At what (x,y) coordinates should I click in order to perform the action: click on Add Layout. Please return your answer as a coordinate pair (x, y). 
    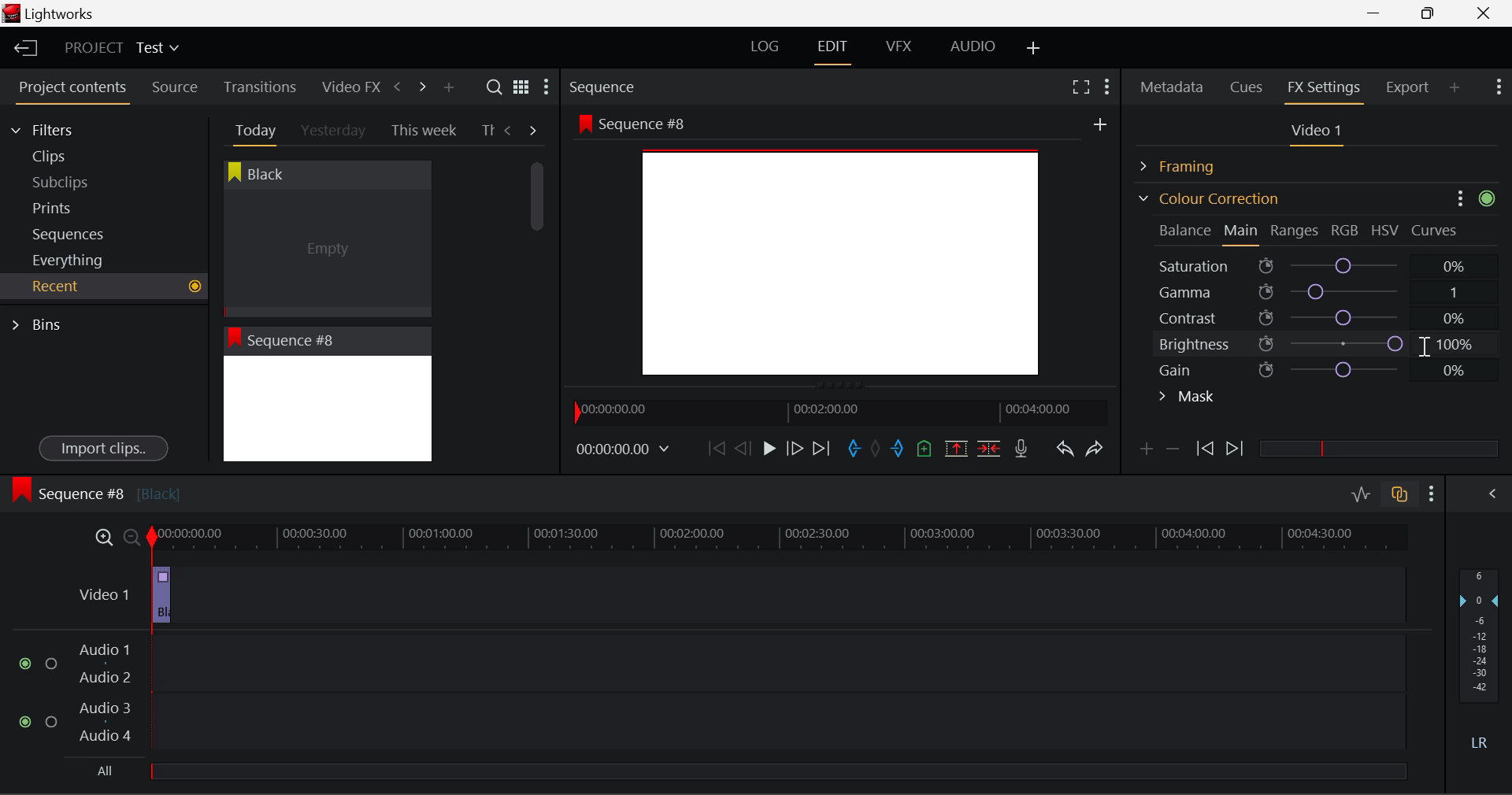
    Looking at the image, I should click on (1034, 49).